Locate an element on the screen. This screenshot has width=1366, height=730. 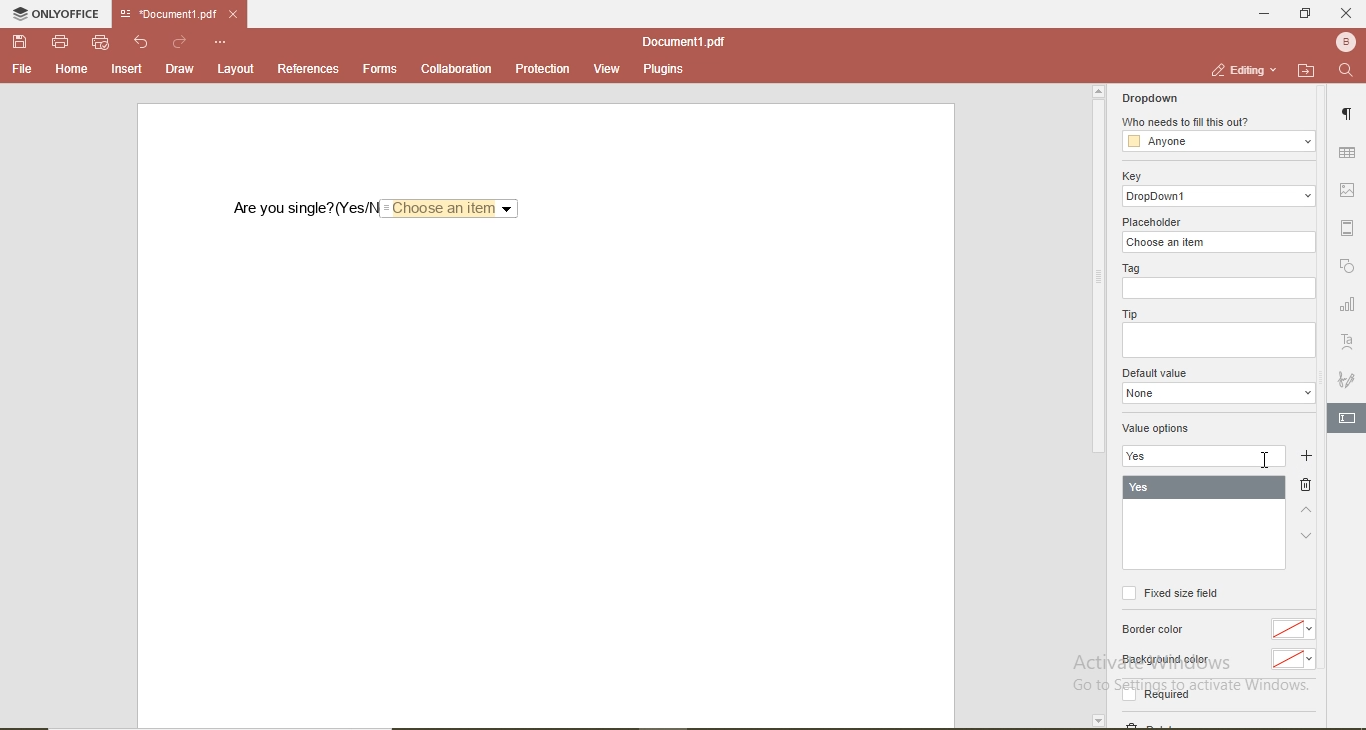
tag is located at coordinates (1131, 268).